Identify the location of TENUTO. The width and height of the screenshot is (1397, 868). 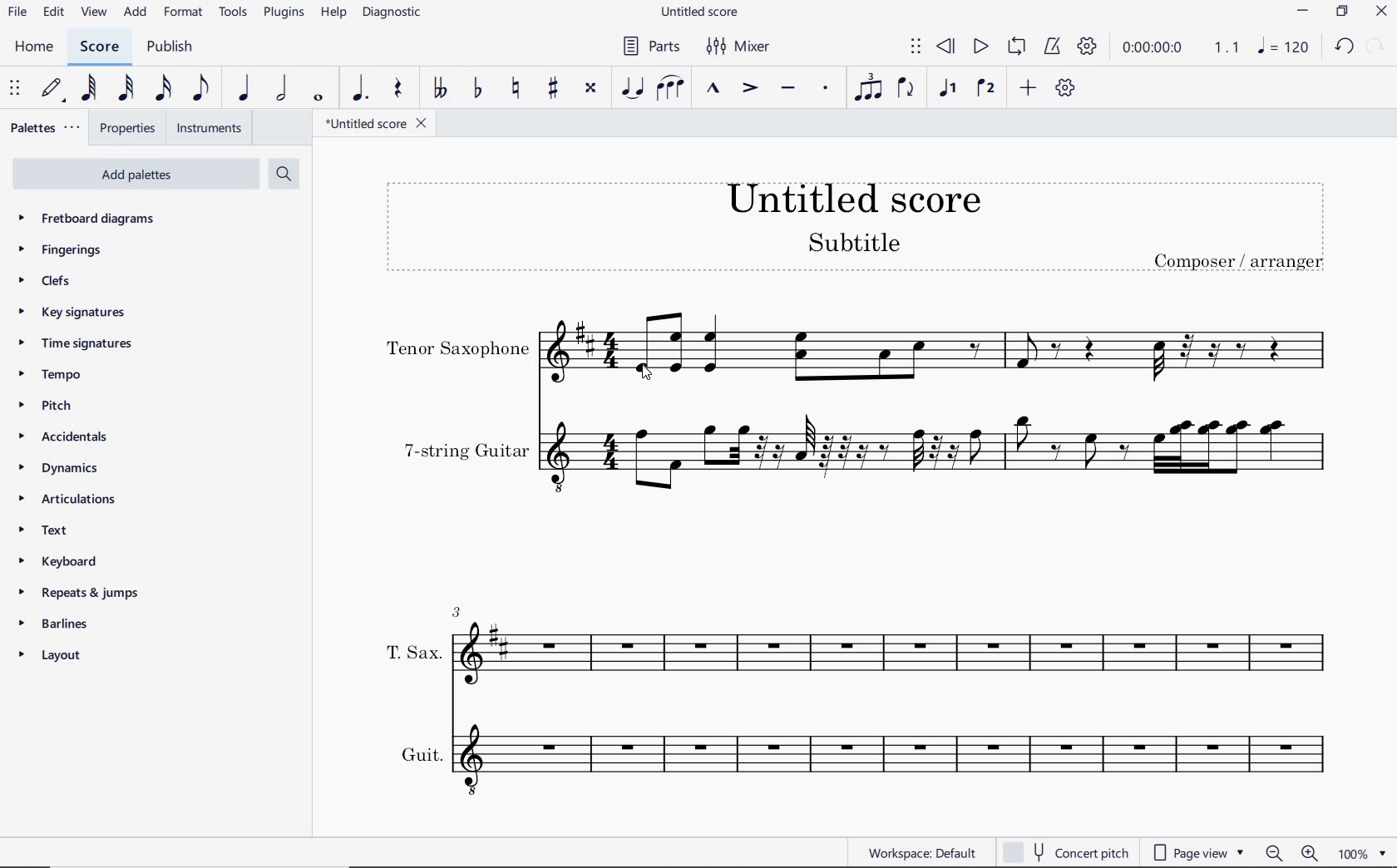
(787, 90).